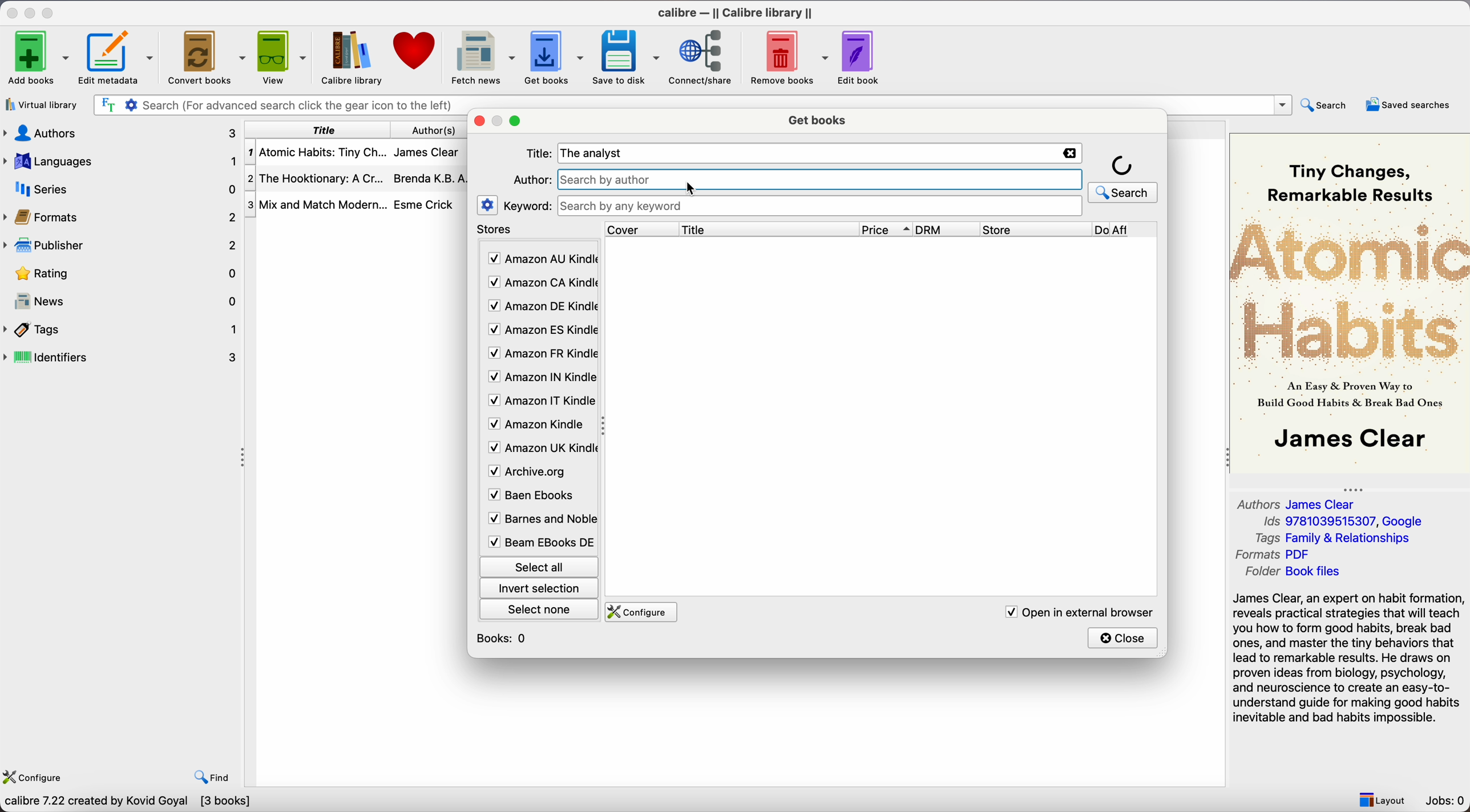  What do you see at coordinates (1283, 555) in the screenshot?
I see `Formats PDF` at bounding box center [1283, 555].